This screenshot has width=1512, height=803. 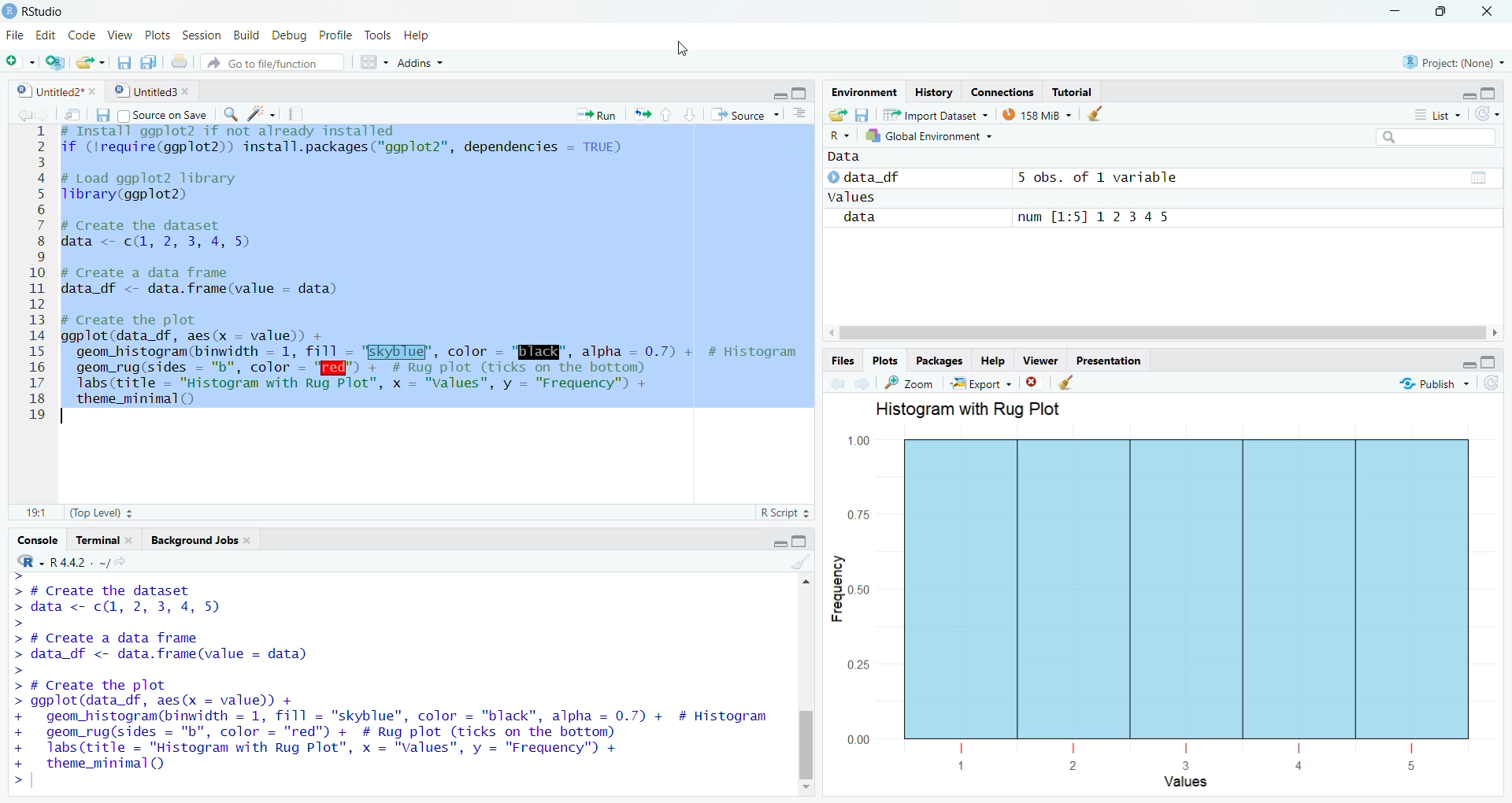 I want to click on workspace, so click(x=371, y=61).